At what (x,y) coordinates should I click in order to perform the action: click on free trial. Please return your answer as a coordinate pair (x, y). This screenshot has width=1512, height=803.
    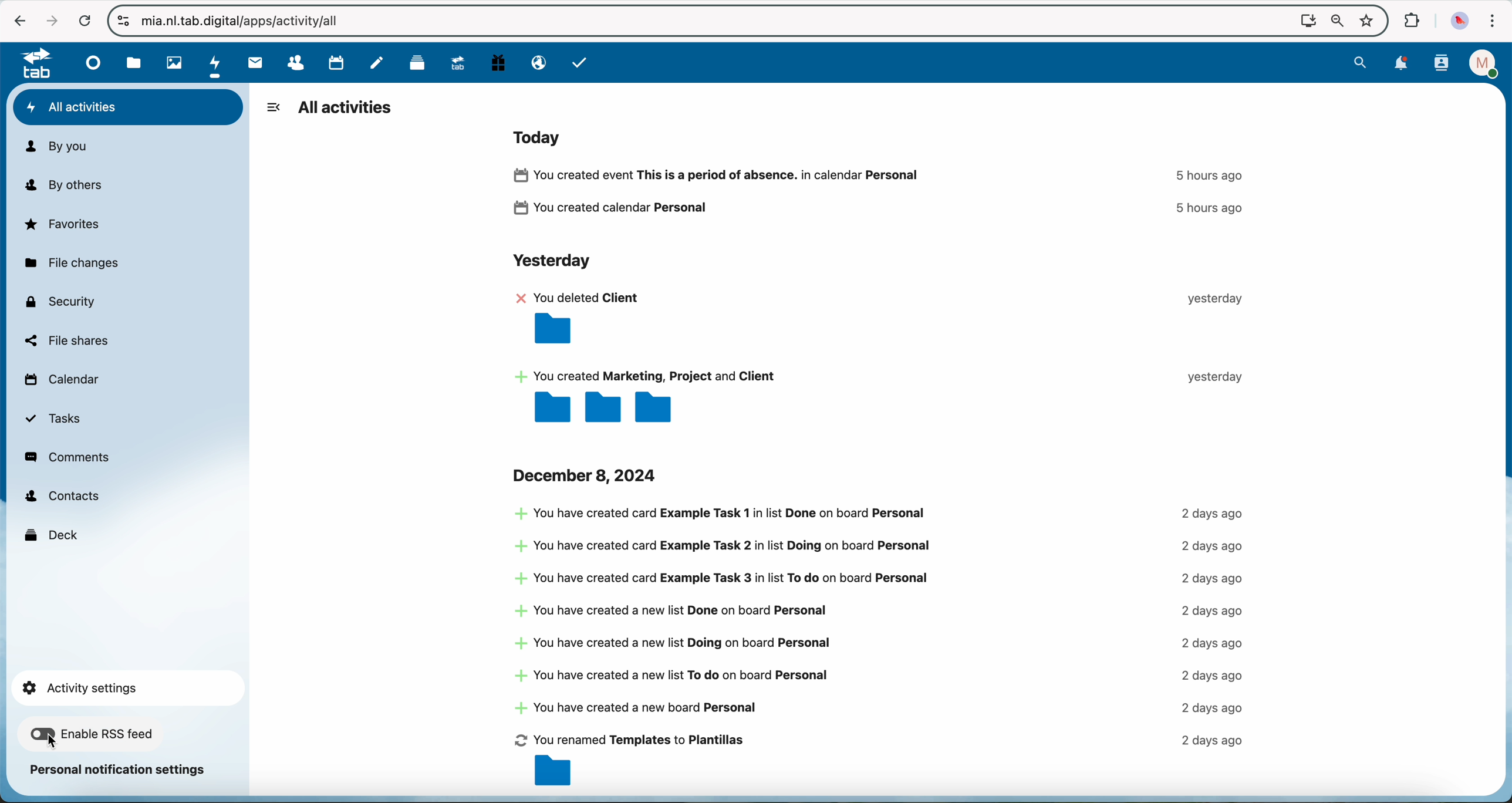
    Looking at the image, I should click on (497, 63).